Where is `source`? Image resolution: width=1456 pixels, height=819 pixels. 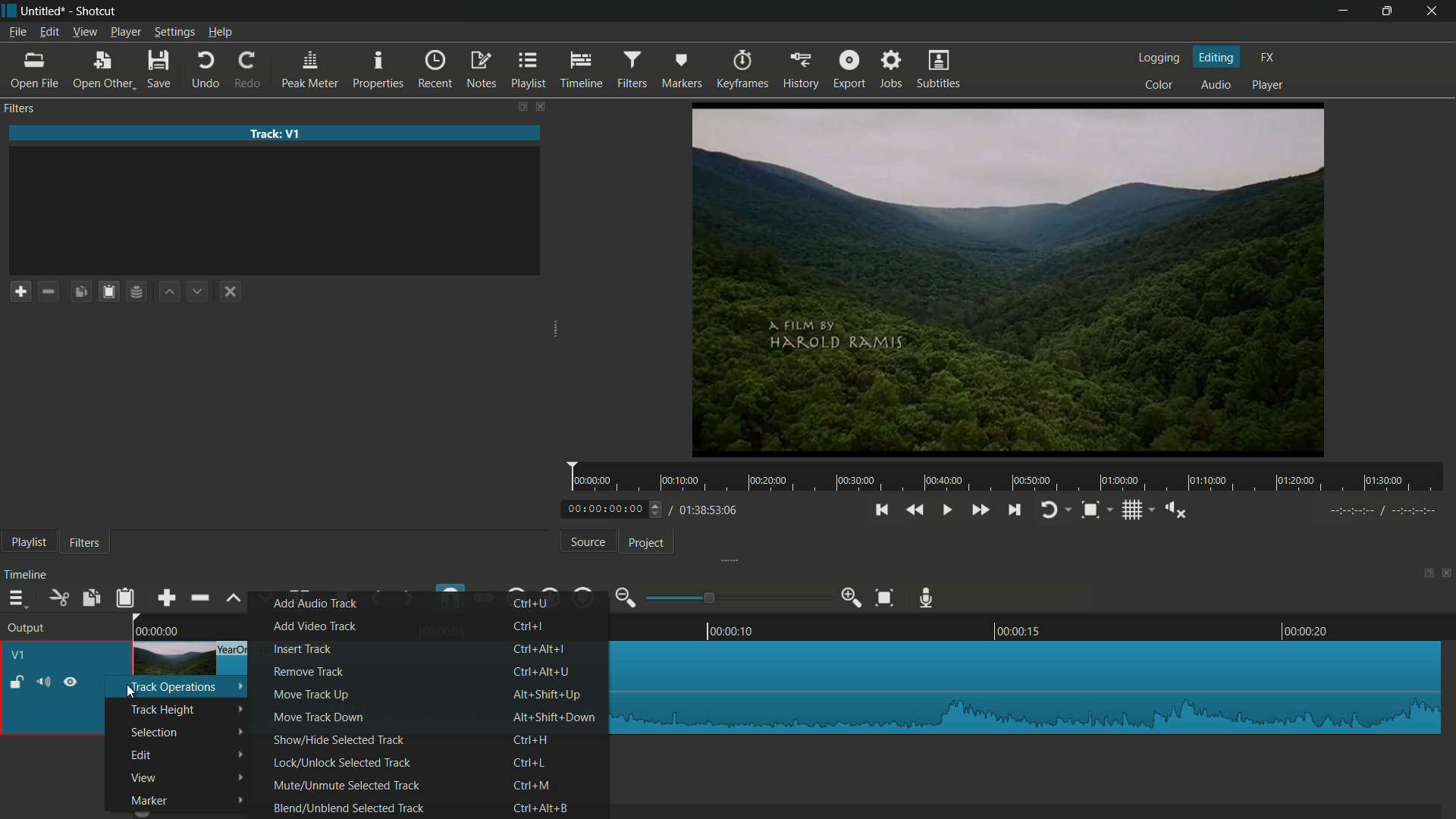
source is located at coordinates (588, 542).